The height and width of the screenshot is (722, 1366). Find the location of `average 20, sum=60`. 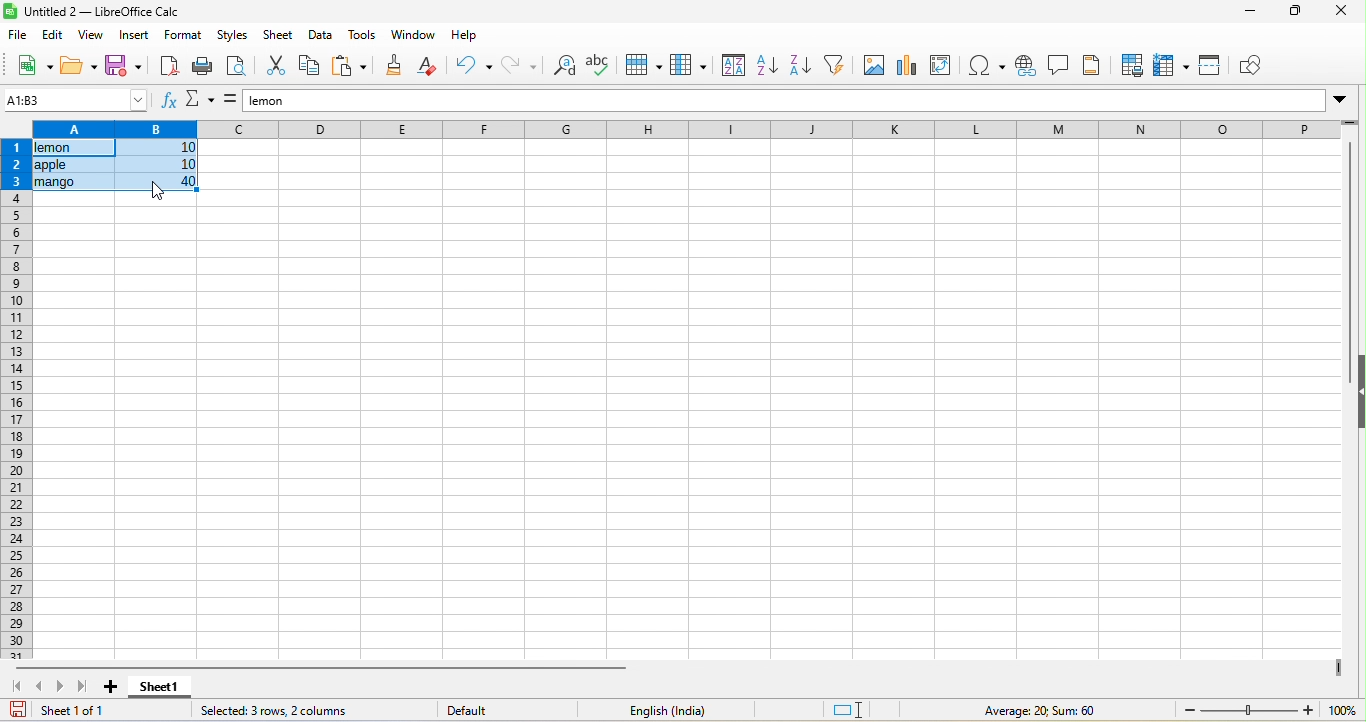

average 20, sum=60 is located at coordinates (1055, 712).